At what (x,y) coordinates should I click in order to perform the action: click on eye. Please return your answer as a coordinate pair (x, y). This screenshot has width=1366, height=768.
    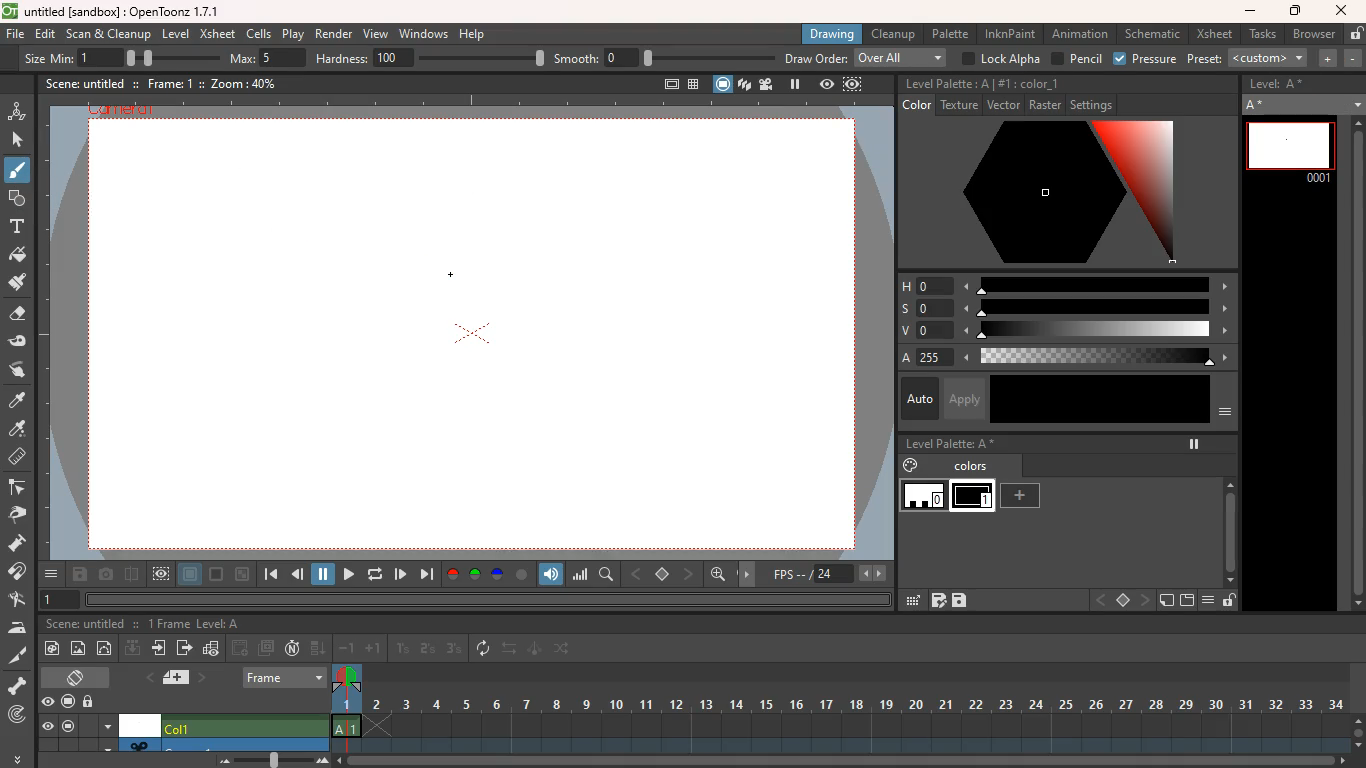
    Looking at the image, I should click on (48, 727).